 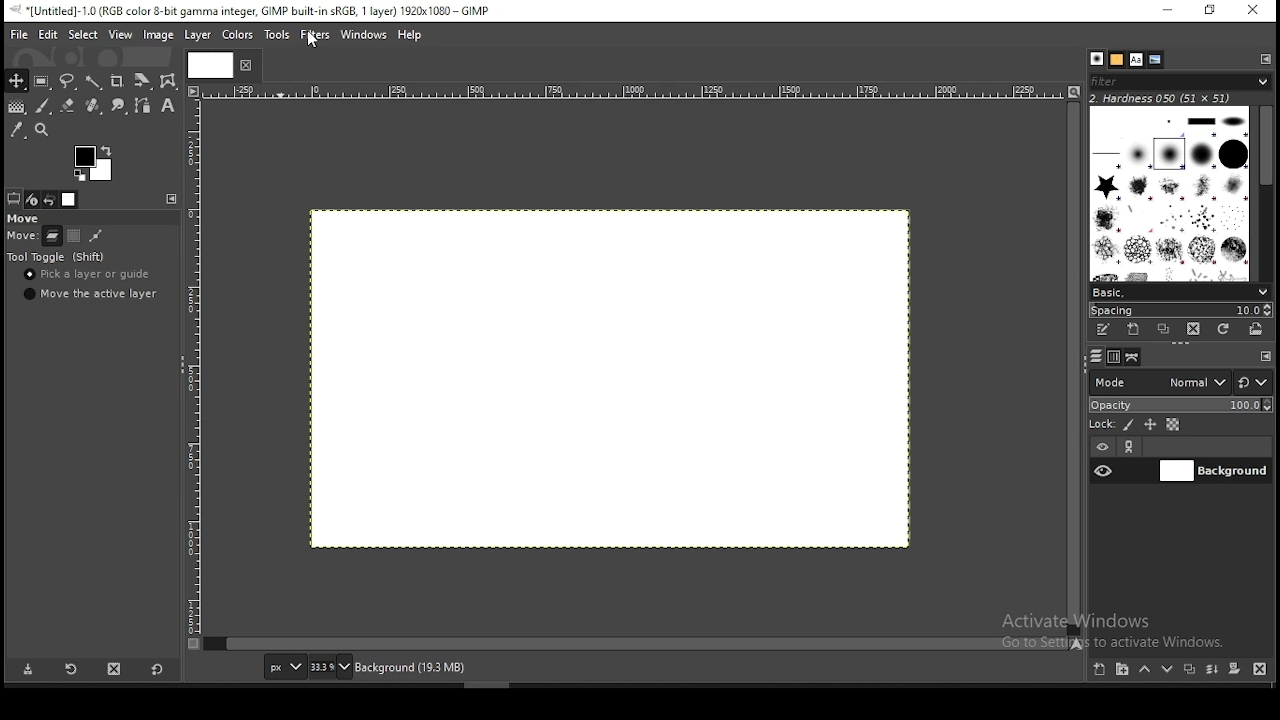 I want to click on fuzzy select tool, so click(x=94, y=83).